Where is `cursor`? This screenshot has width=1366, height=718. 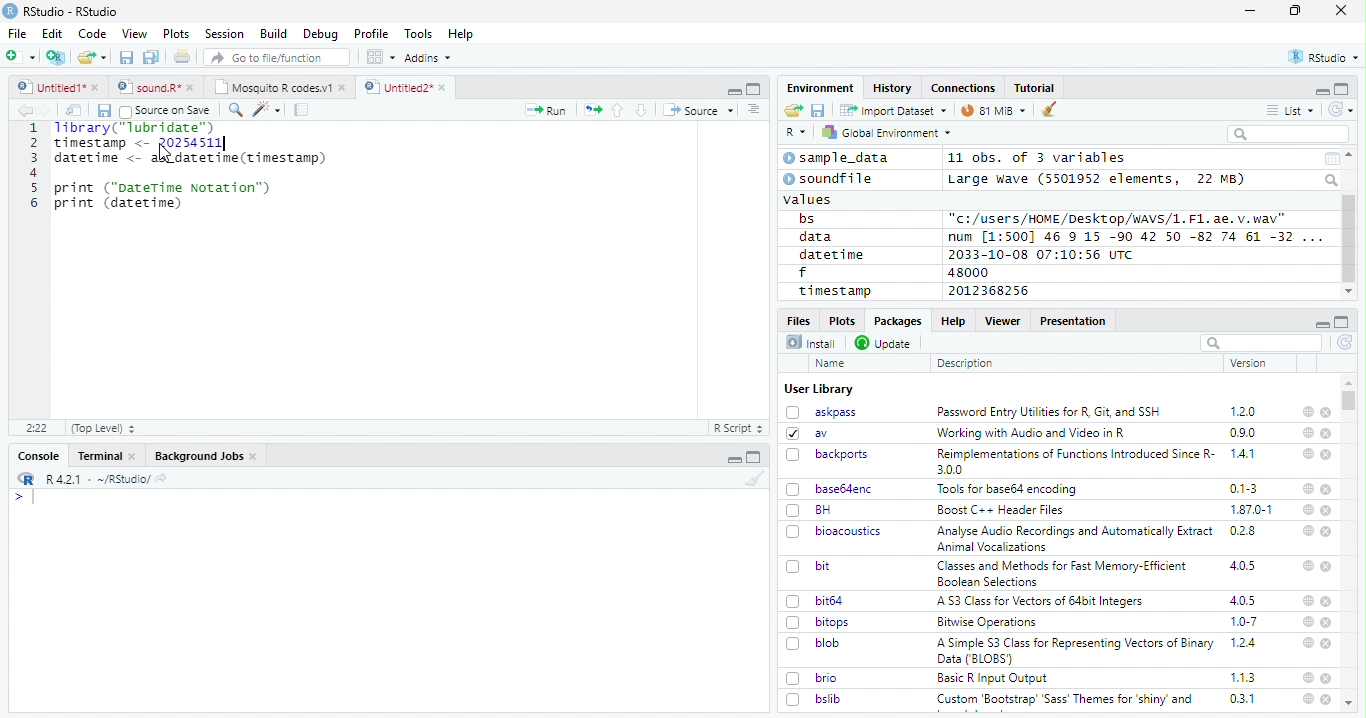 cursor is located at coordinates (167, 153).